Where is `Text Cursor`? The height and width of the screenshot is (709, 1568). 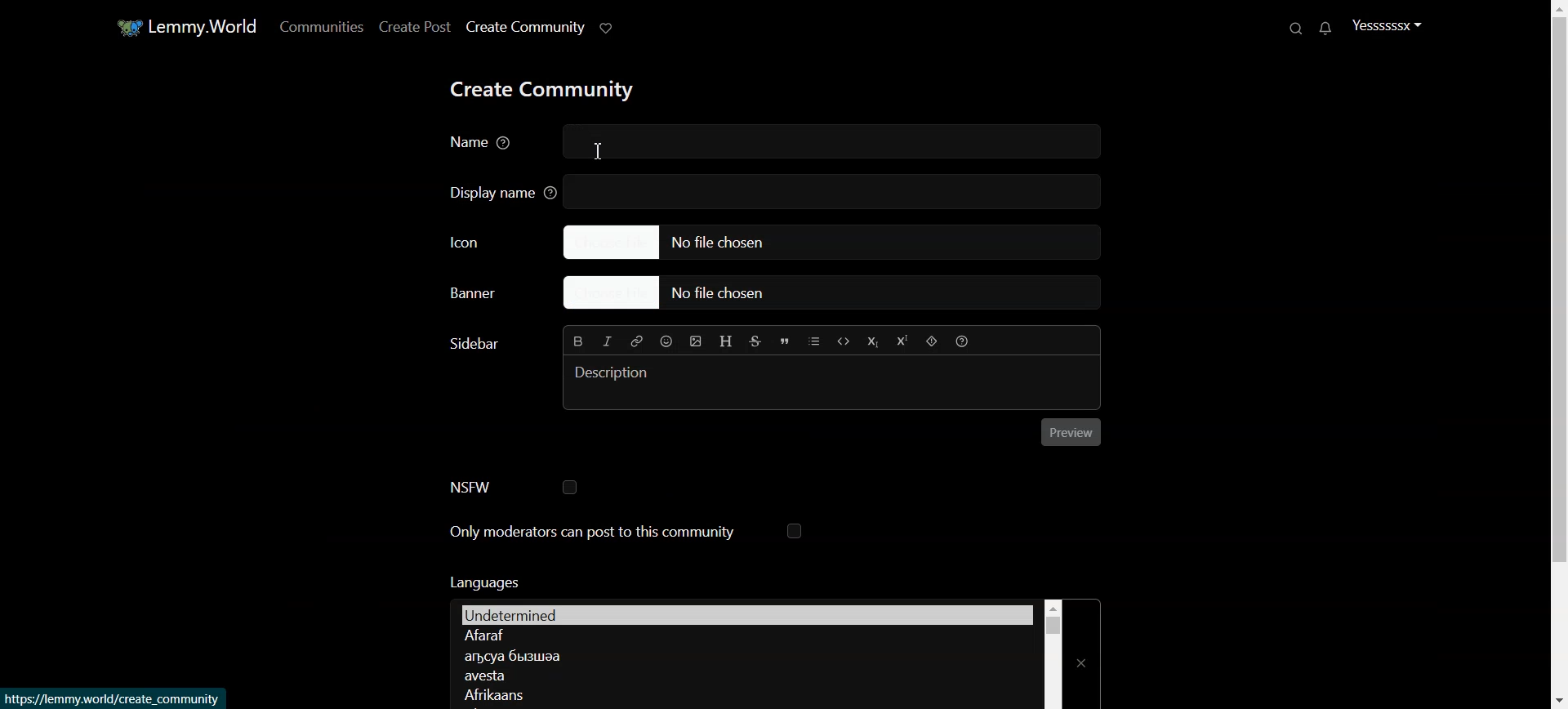 Text Cursor is located at coordinates (597, 149).